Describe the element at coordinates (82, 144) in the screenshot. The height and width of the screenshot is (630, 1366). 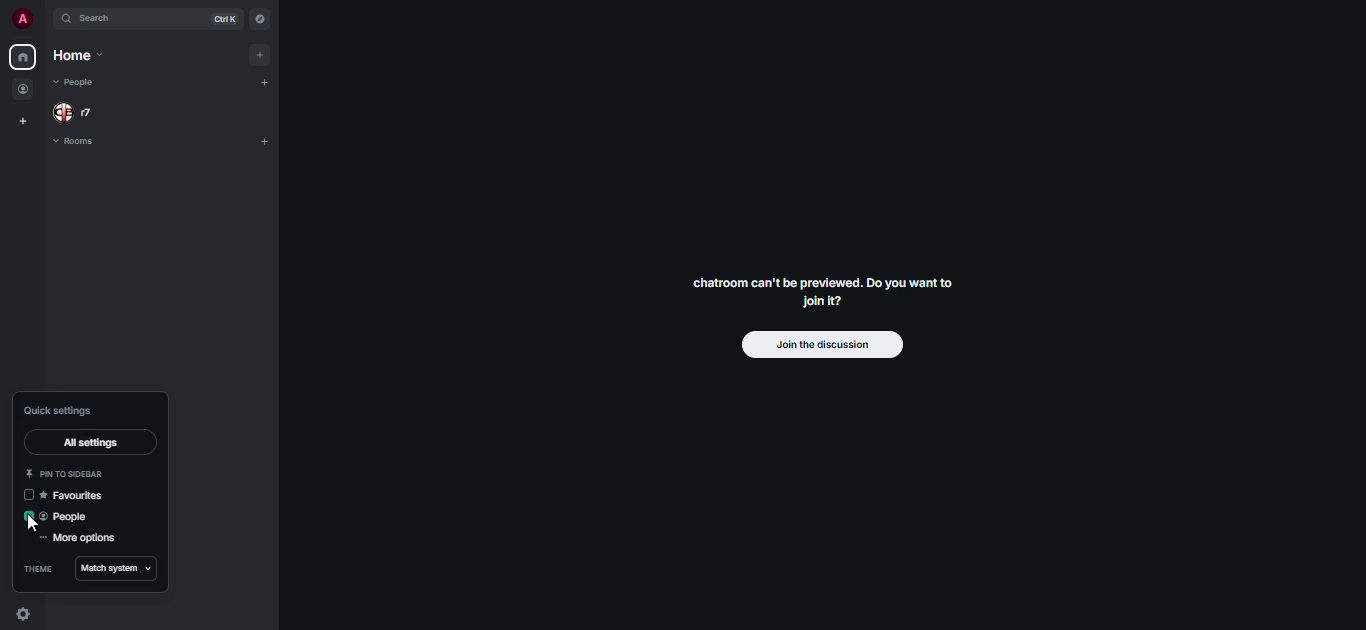
I see `rooms` at that location.